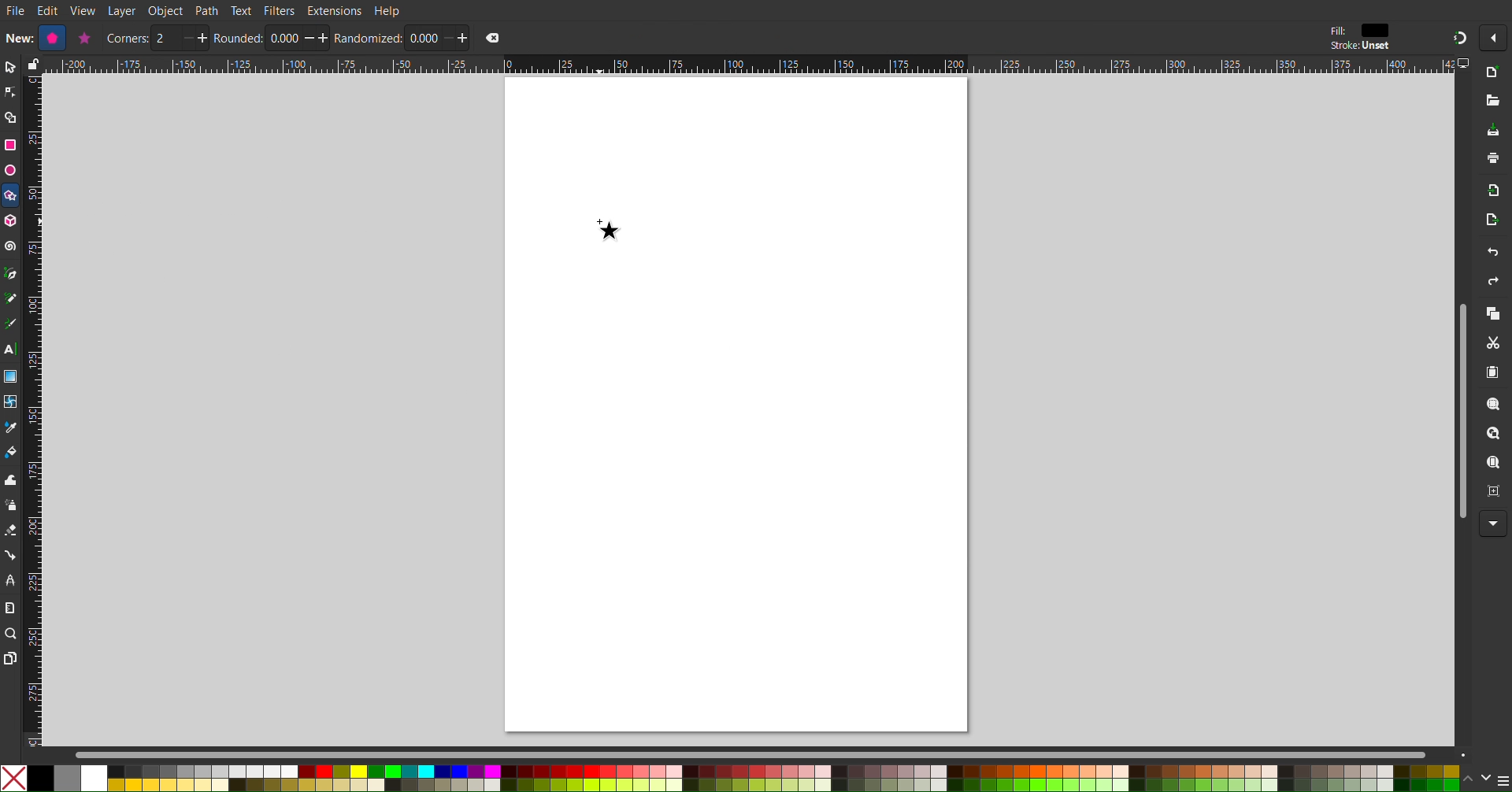 This screenshot has height=792, width=1512. Describe the element at coordinates (31, 64) in the screenshot. I see `lock` at that location.